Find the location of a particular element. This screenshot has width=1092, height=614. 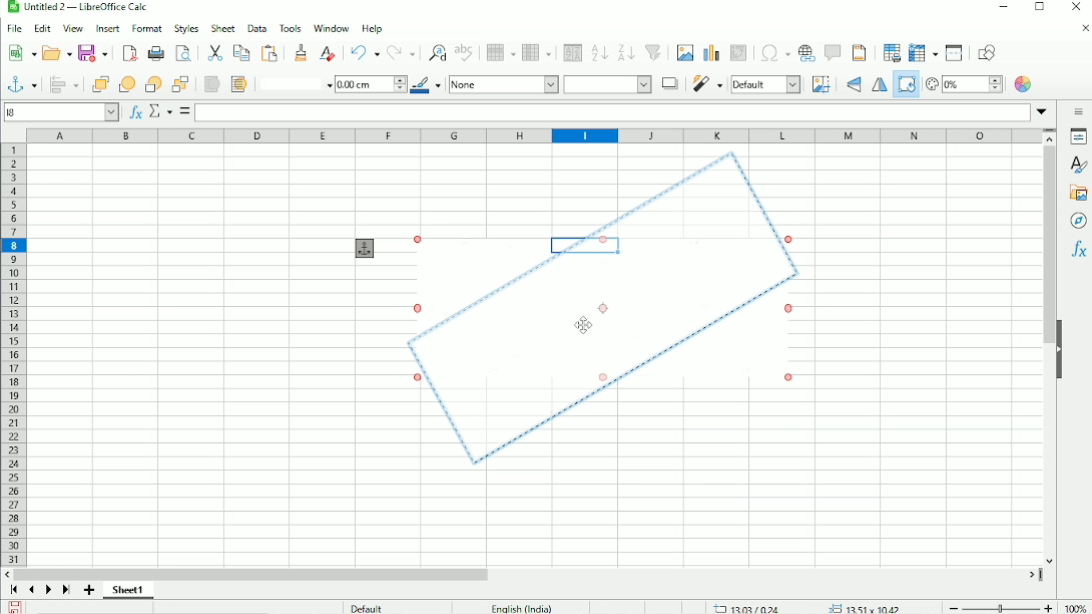

Transparency is located at coordinates (964, 85).